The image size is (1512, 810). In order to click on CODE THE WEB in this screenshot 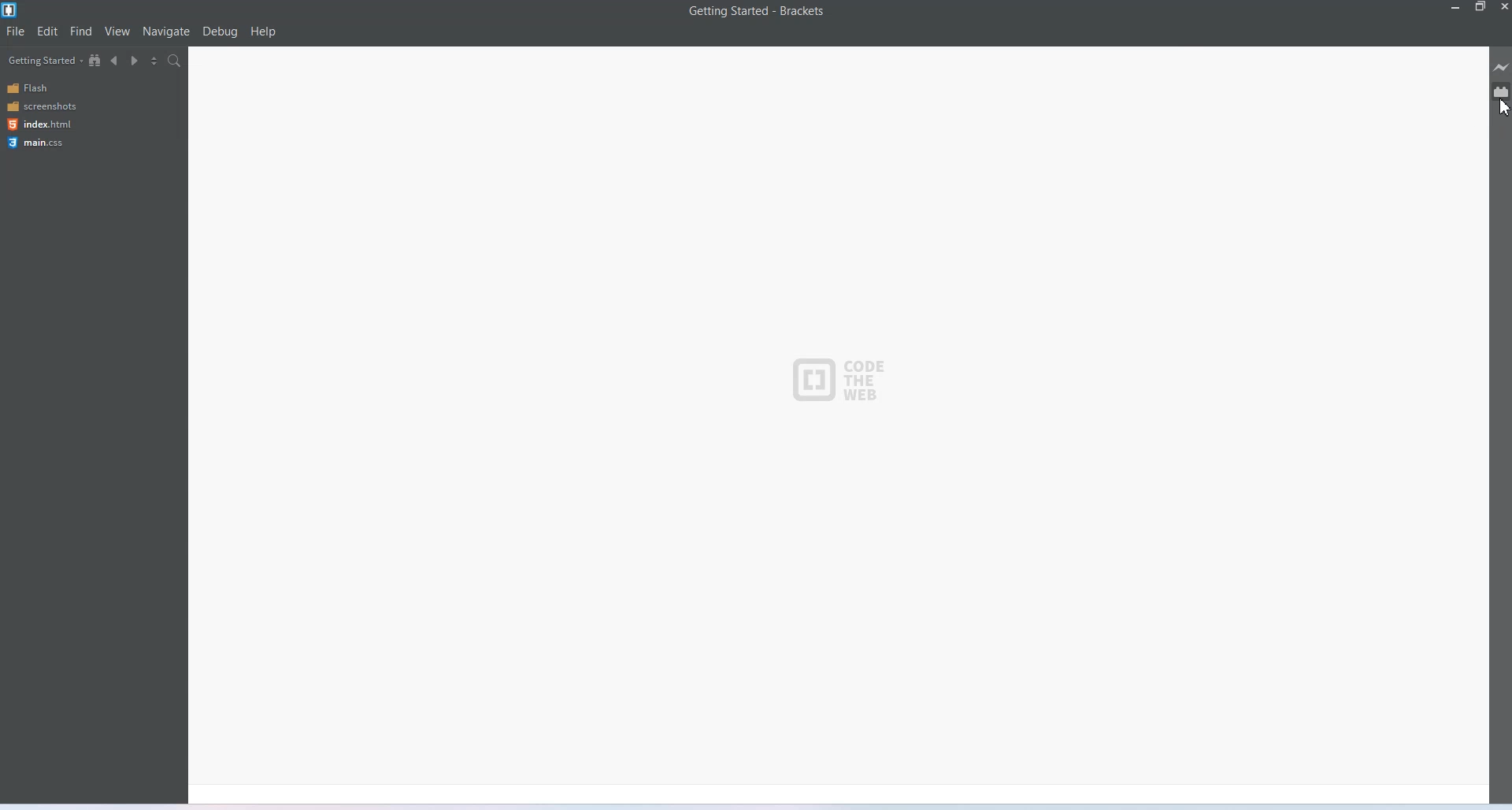, I will do `click(835, 377)`.